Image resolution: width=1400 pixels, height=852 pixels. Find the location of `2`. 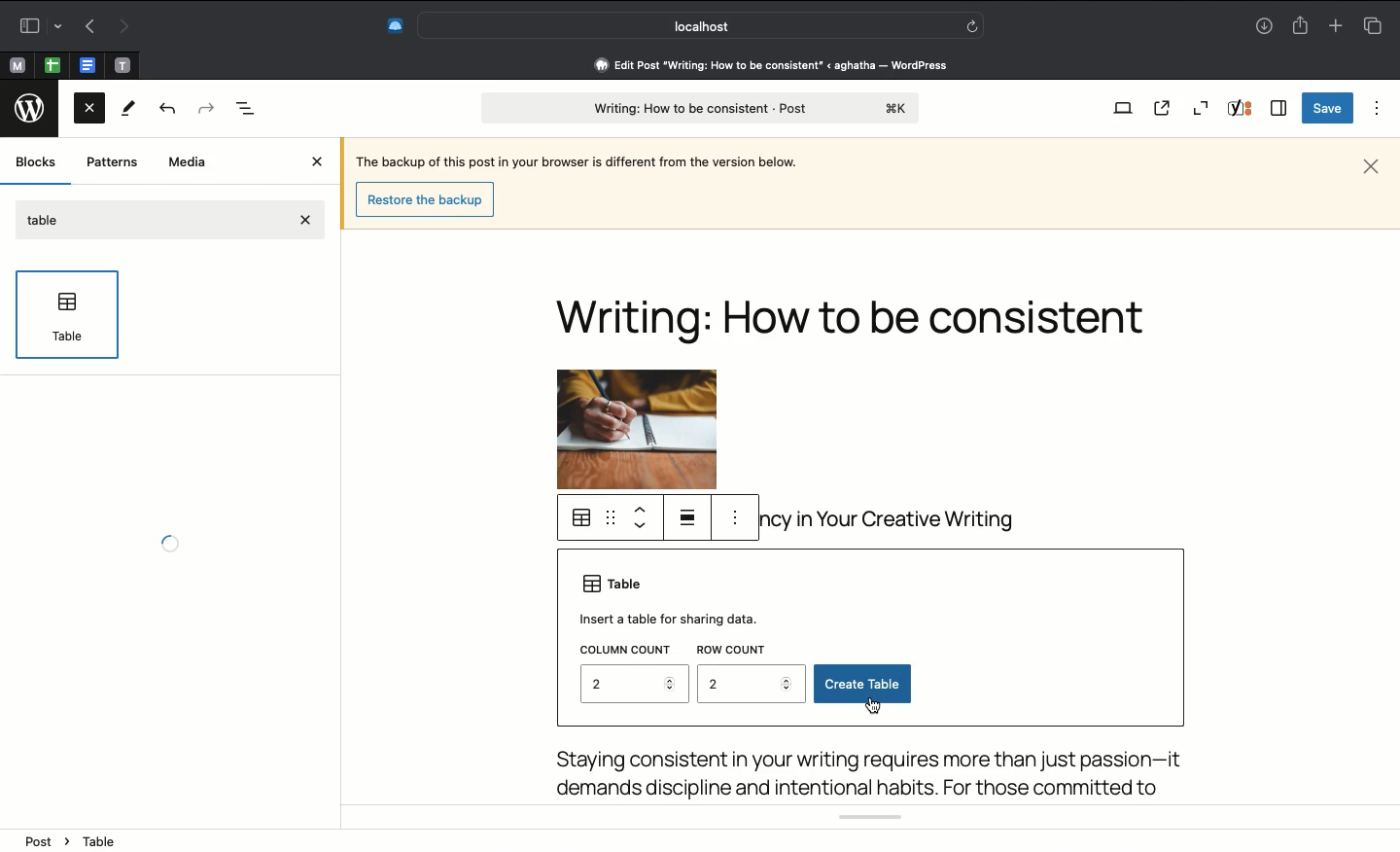

2 is located at coordinates (634, 684).